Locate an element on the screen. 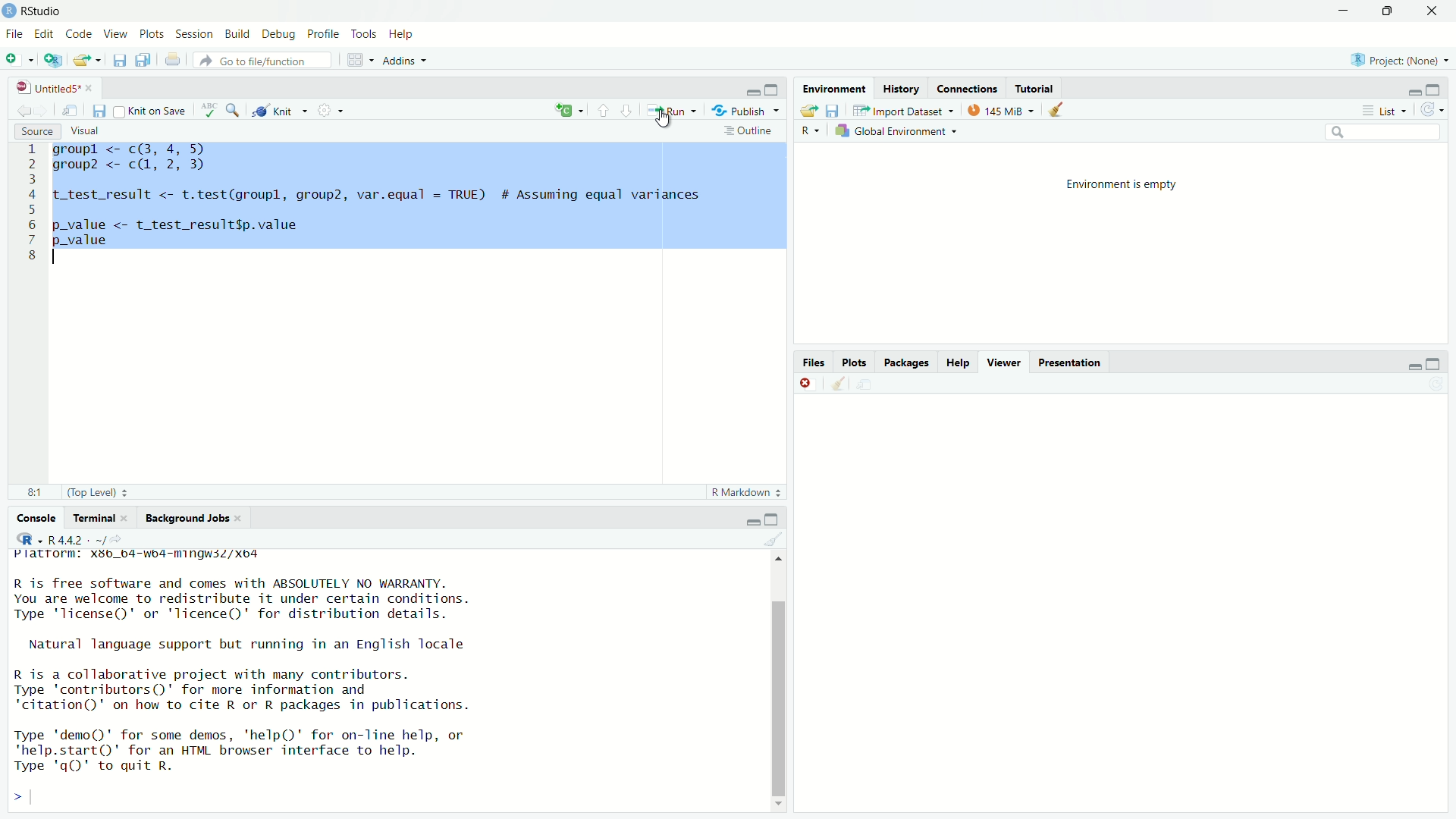  Tools is located at coordinates (366, 33).